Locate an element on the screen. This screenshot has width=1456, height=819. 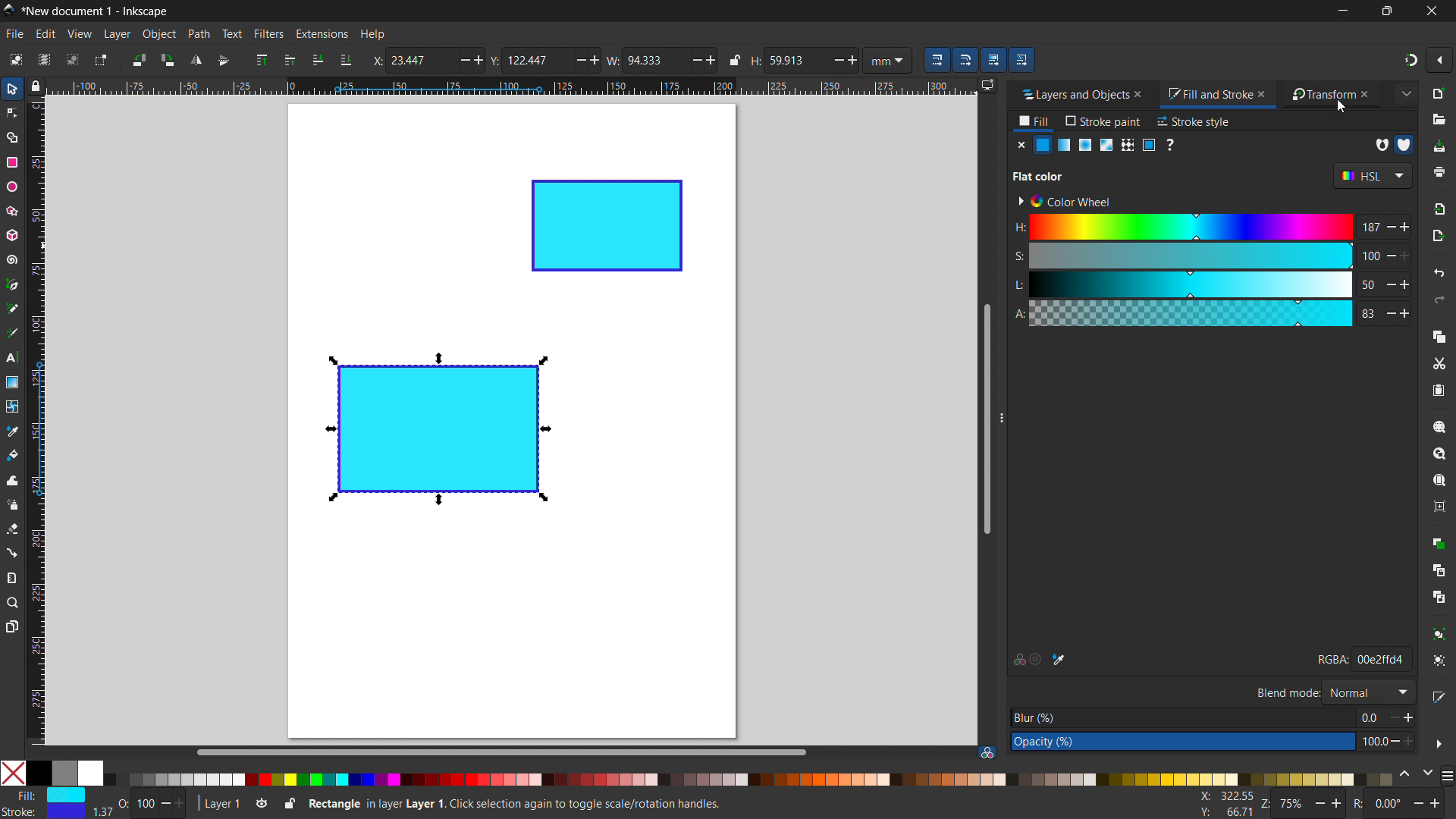
copy is located at coordinates (1439, 336).